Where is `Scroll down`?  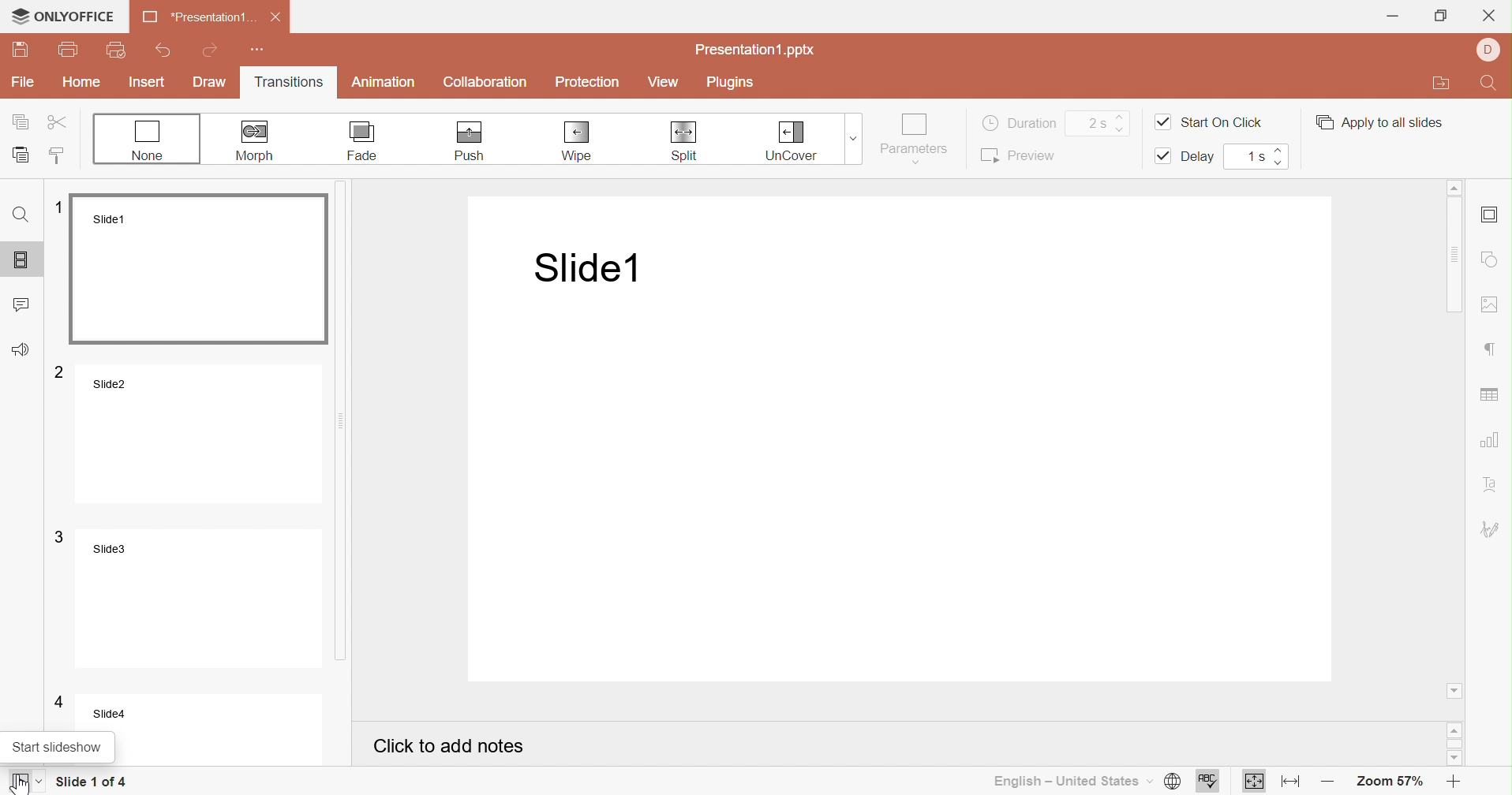 Scroll down is located at coordinates (1455, 689).